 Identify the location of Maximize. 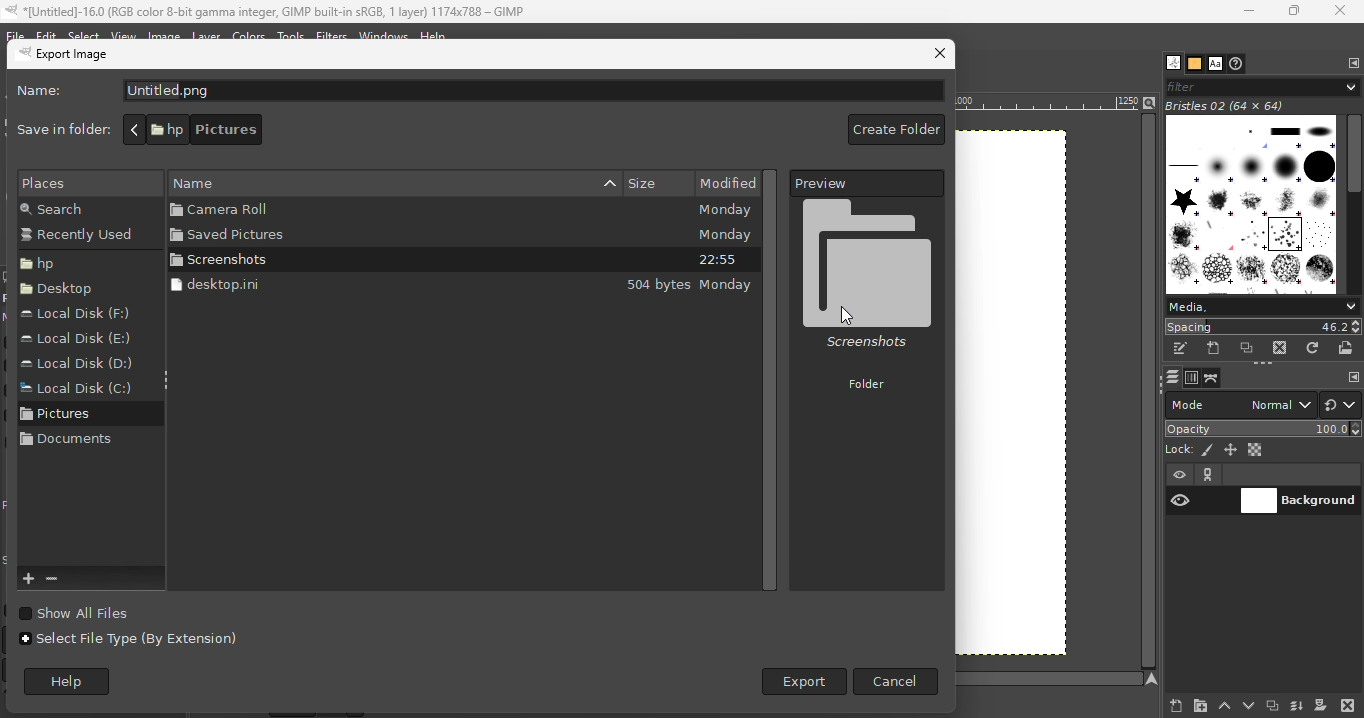
(1295, 12).